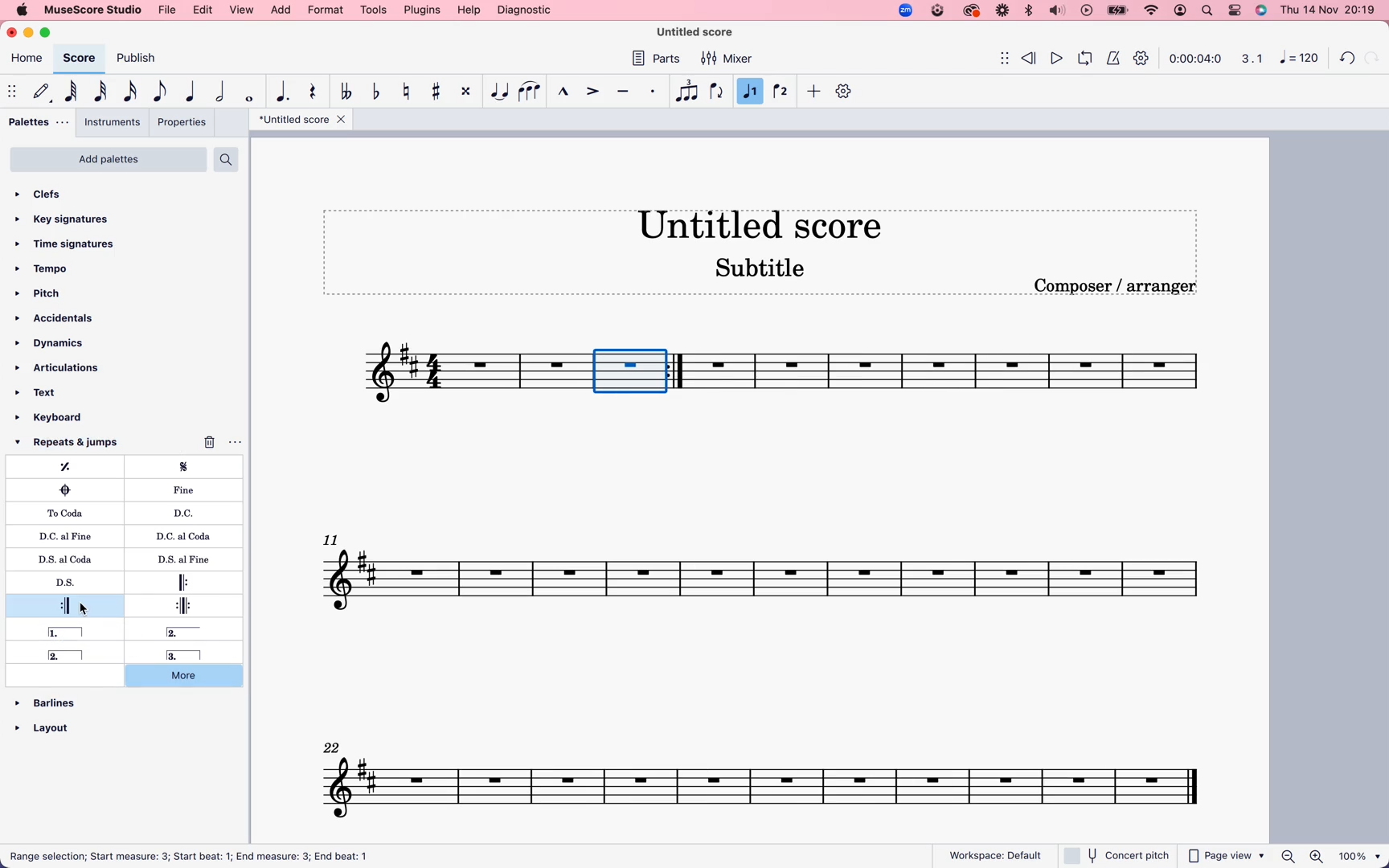 The width and height of the screenshot is (1389, 868). I want to click on format, so click(325, 10).